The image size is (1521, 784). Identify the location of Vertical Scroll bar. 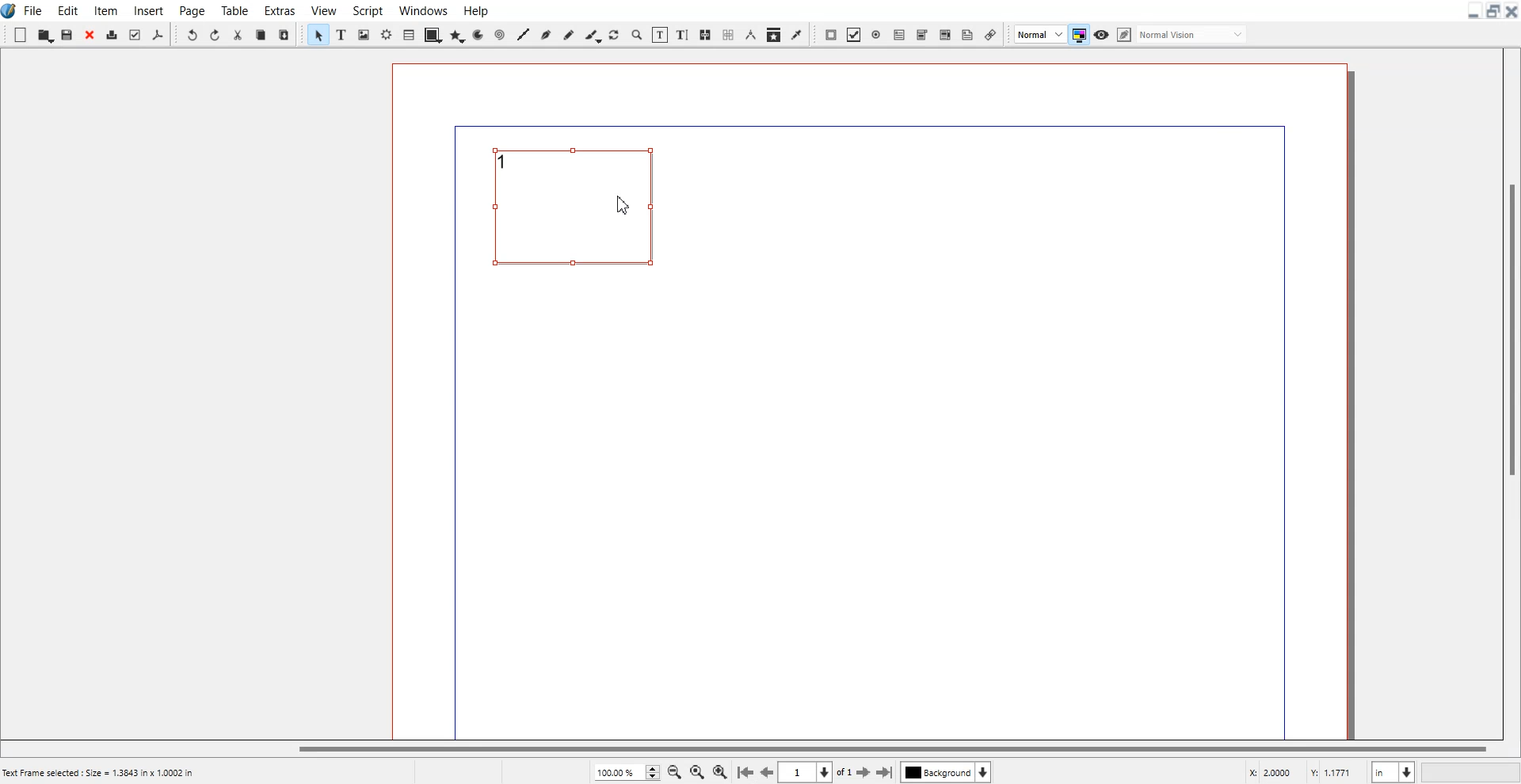
(1510, 391).